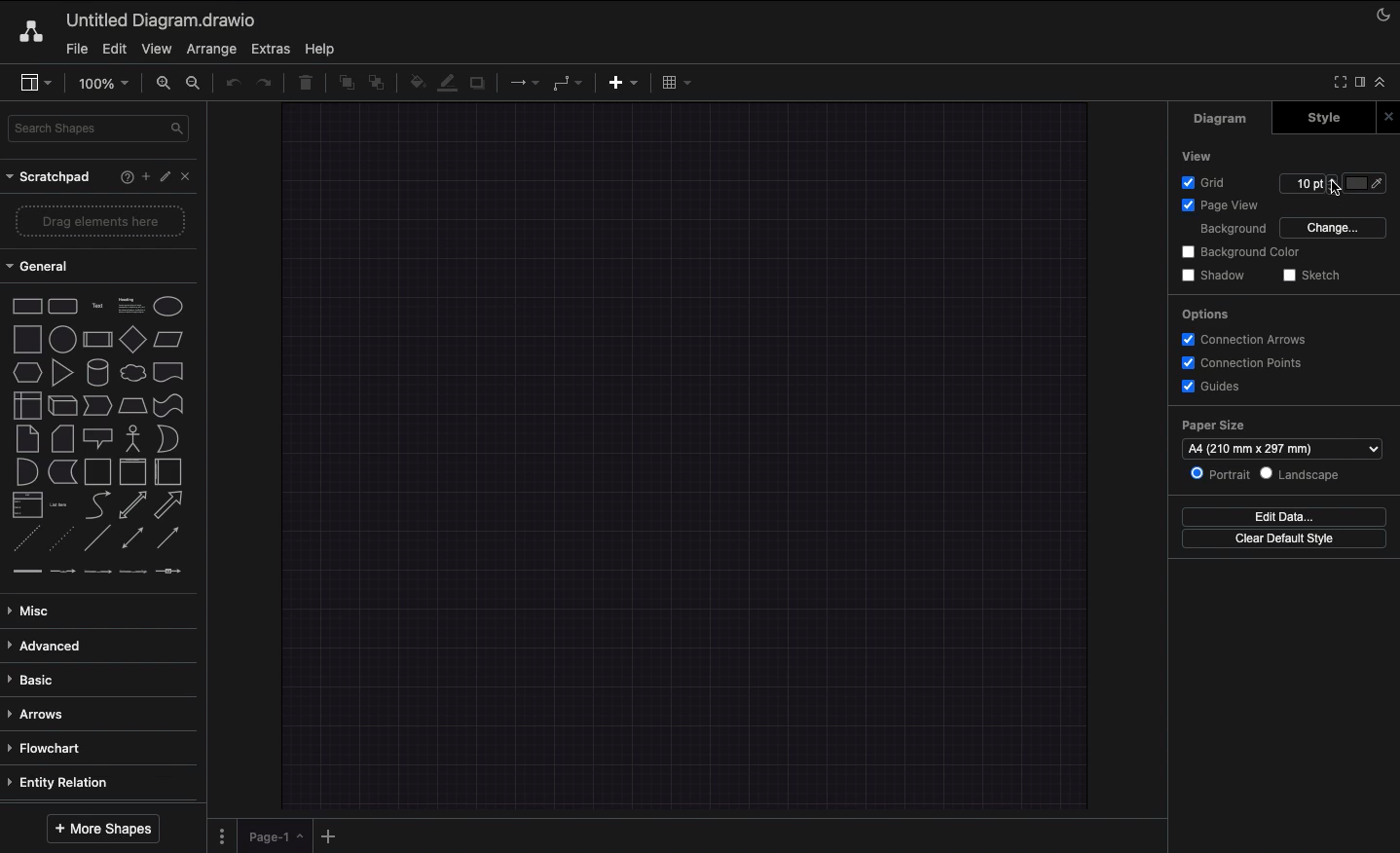  I want to click on Pages, so click(220, 835).